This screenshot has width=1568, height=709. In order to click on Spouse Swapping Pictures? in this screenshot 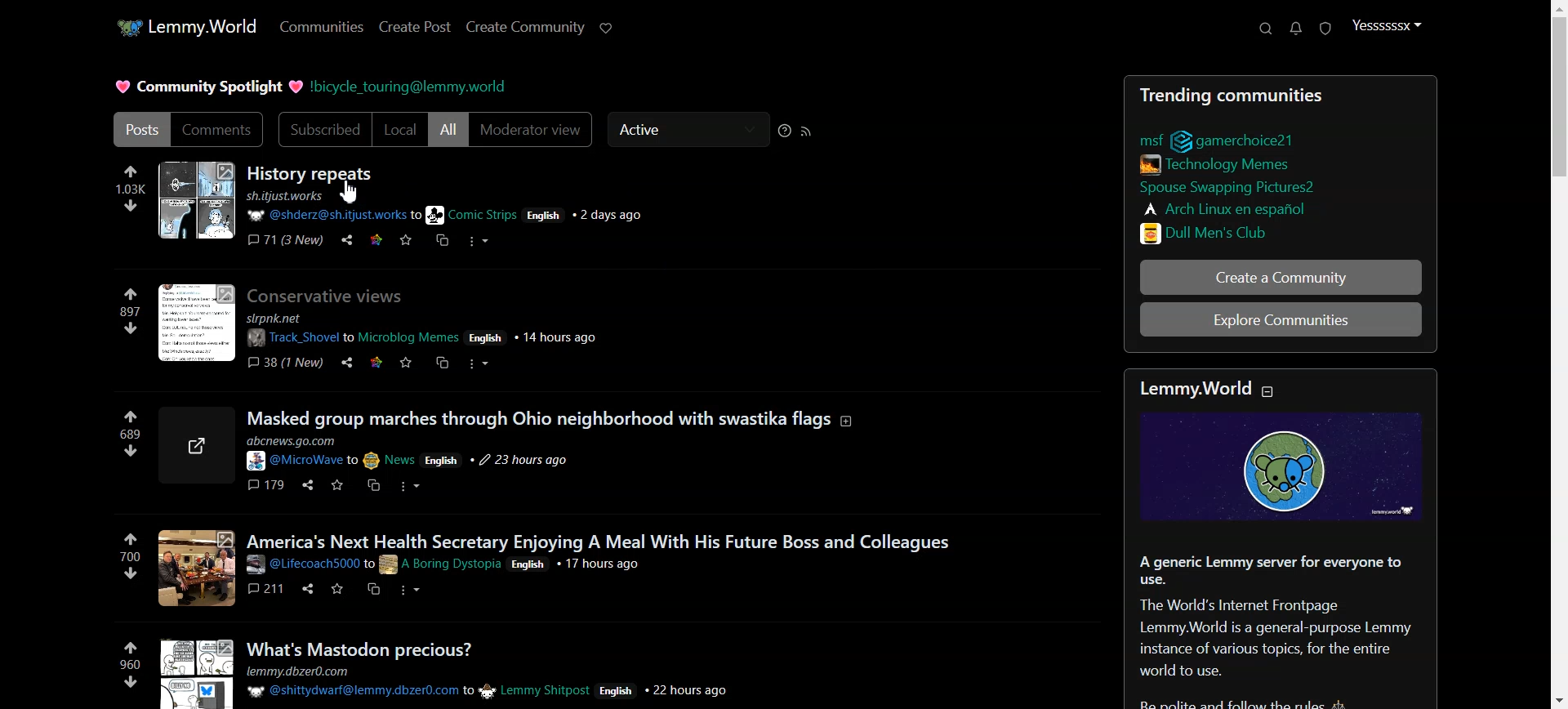, I will do `click(1234, 187)`.